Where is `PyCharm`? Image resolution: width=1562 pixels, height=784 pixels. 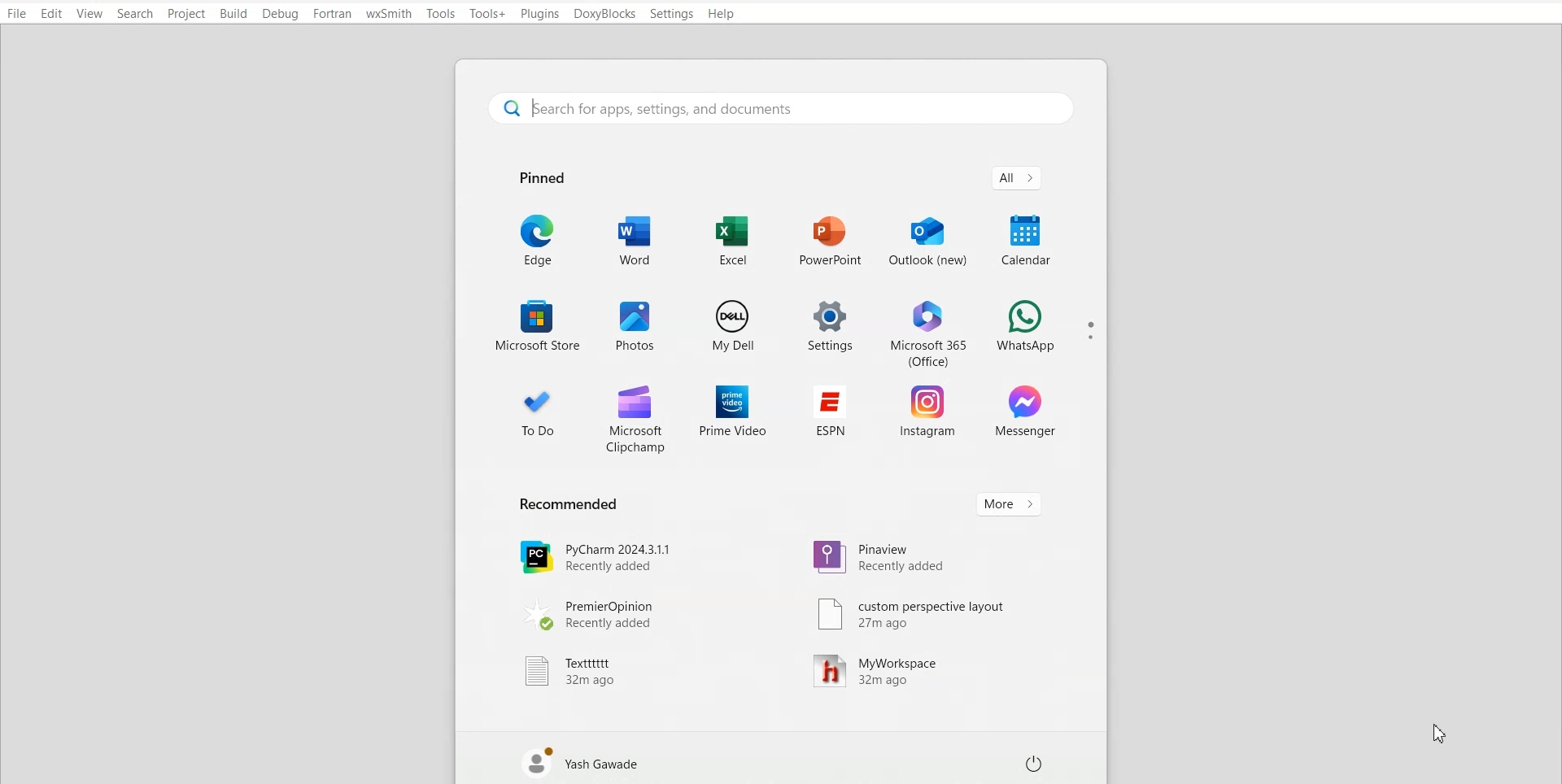 PyCharm is located at coordinates (596, 558).